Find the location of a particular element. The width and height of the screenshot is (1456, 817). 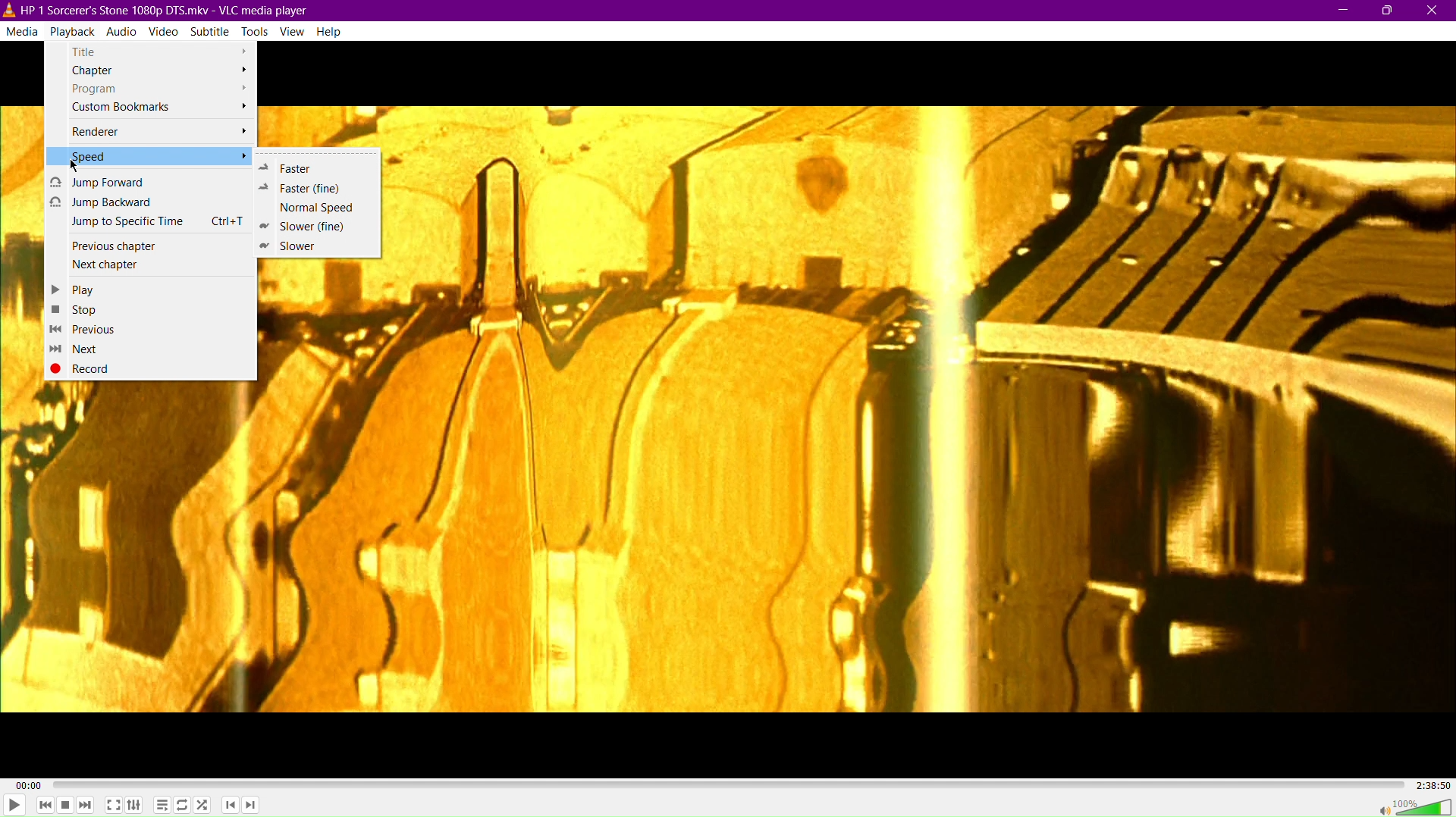

Next Chapter is located at coordinates (253, 807).